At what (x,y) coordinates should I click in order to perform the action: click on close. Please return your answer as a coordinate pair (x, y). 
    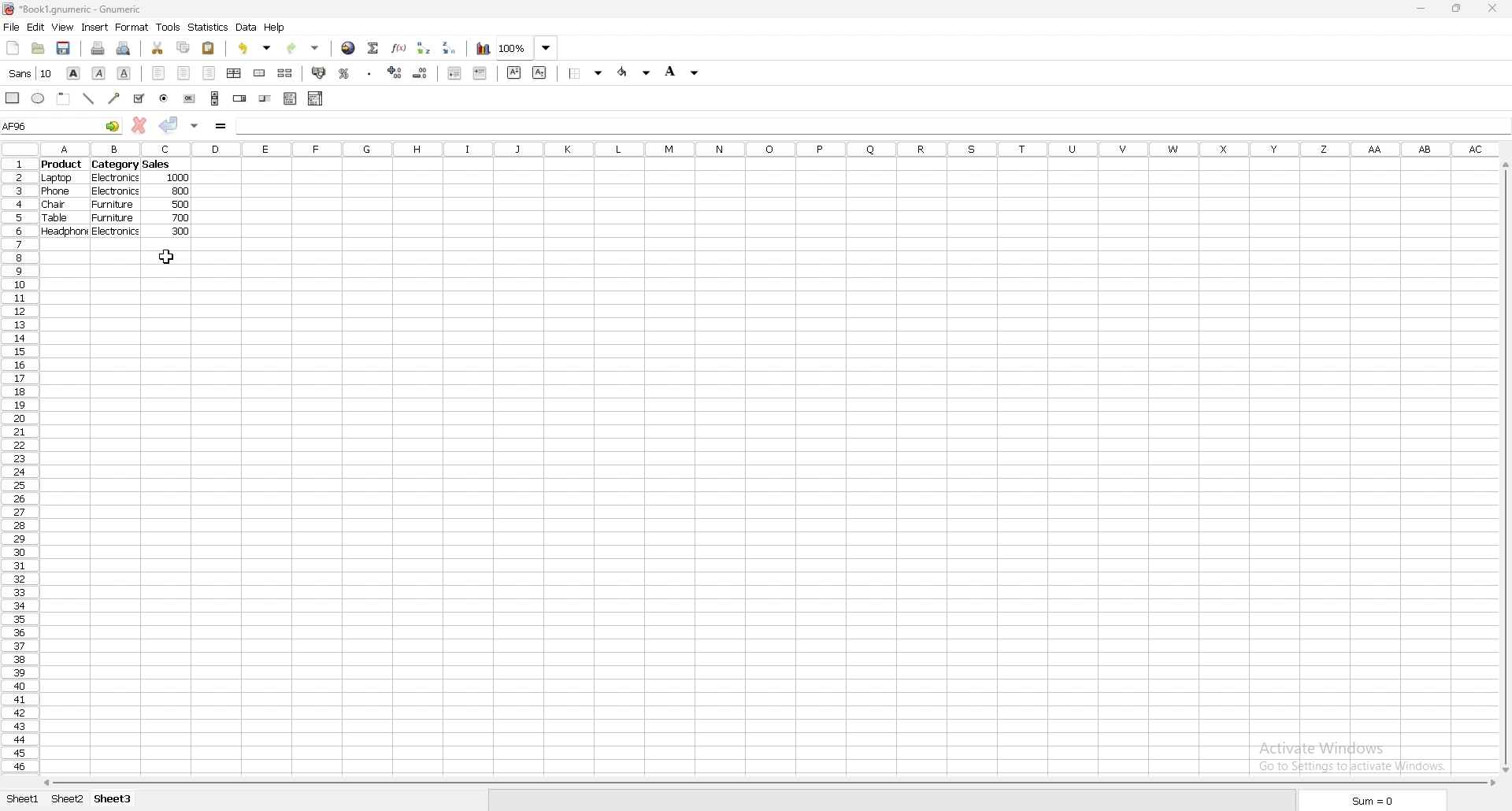
    Looking at the image, I should click on (1492, 9).